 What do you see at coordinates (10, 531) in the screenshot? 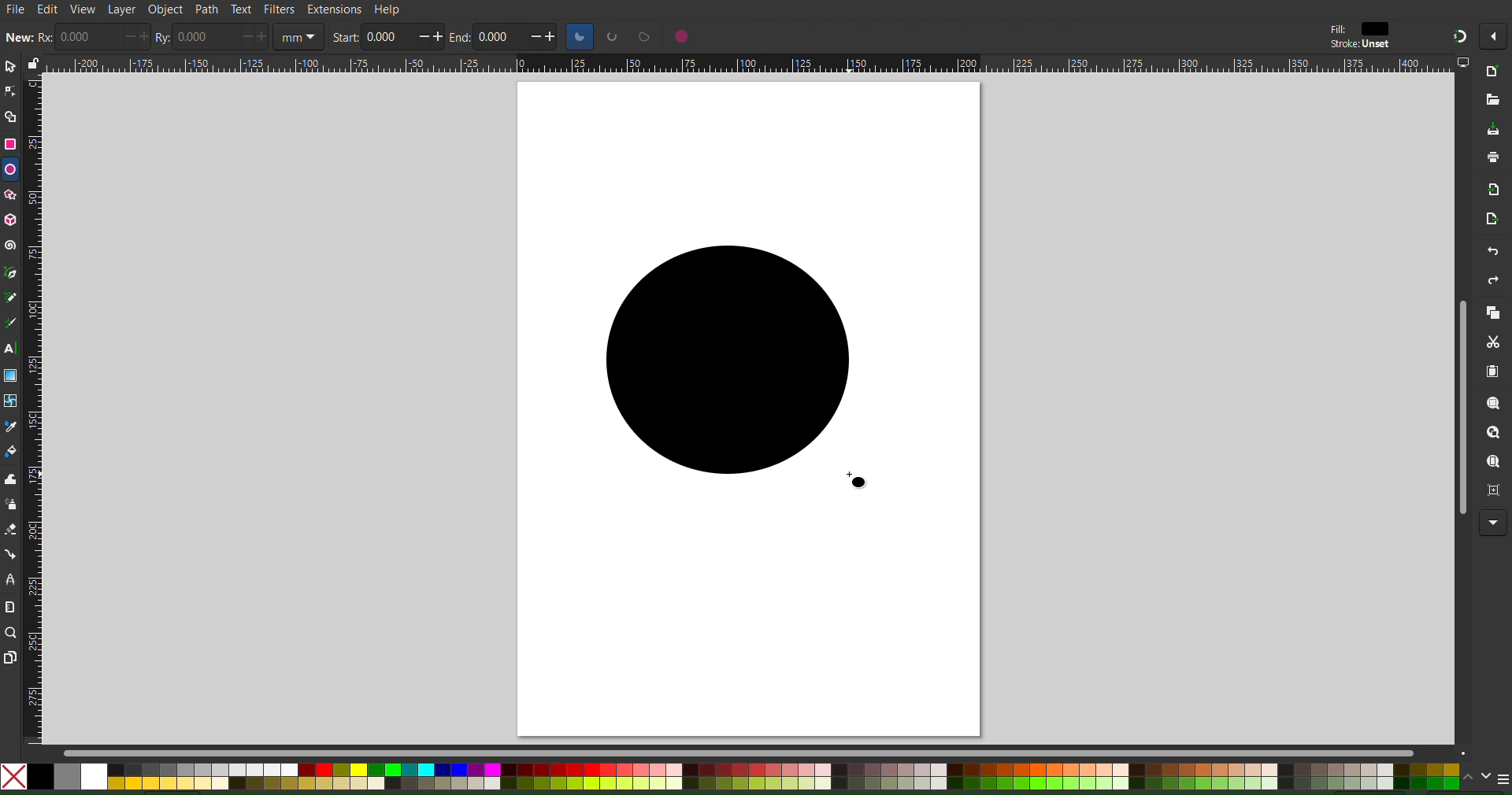
I see `Spray Tool` at bounding box center [10, 531].